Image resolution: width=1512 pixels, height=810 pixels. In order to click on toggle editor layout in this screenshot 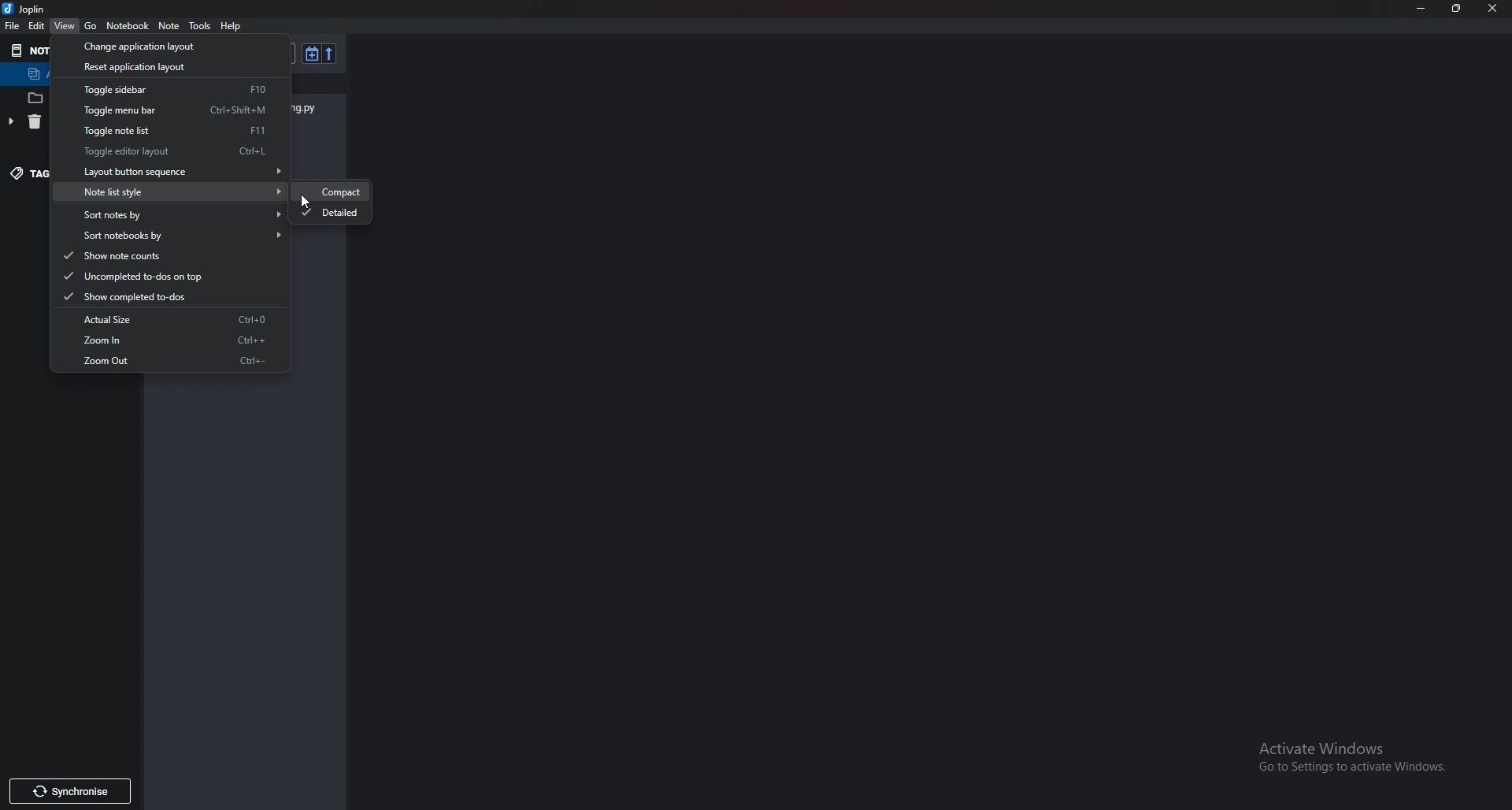, I will do `click(172, 151)`.